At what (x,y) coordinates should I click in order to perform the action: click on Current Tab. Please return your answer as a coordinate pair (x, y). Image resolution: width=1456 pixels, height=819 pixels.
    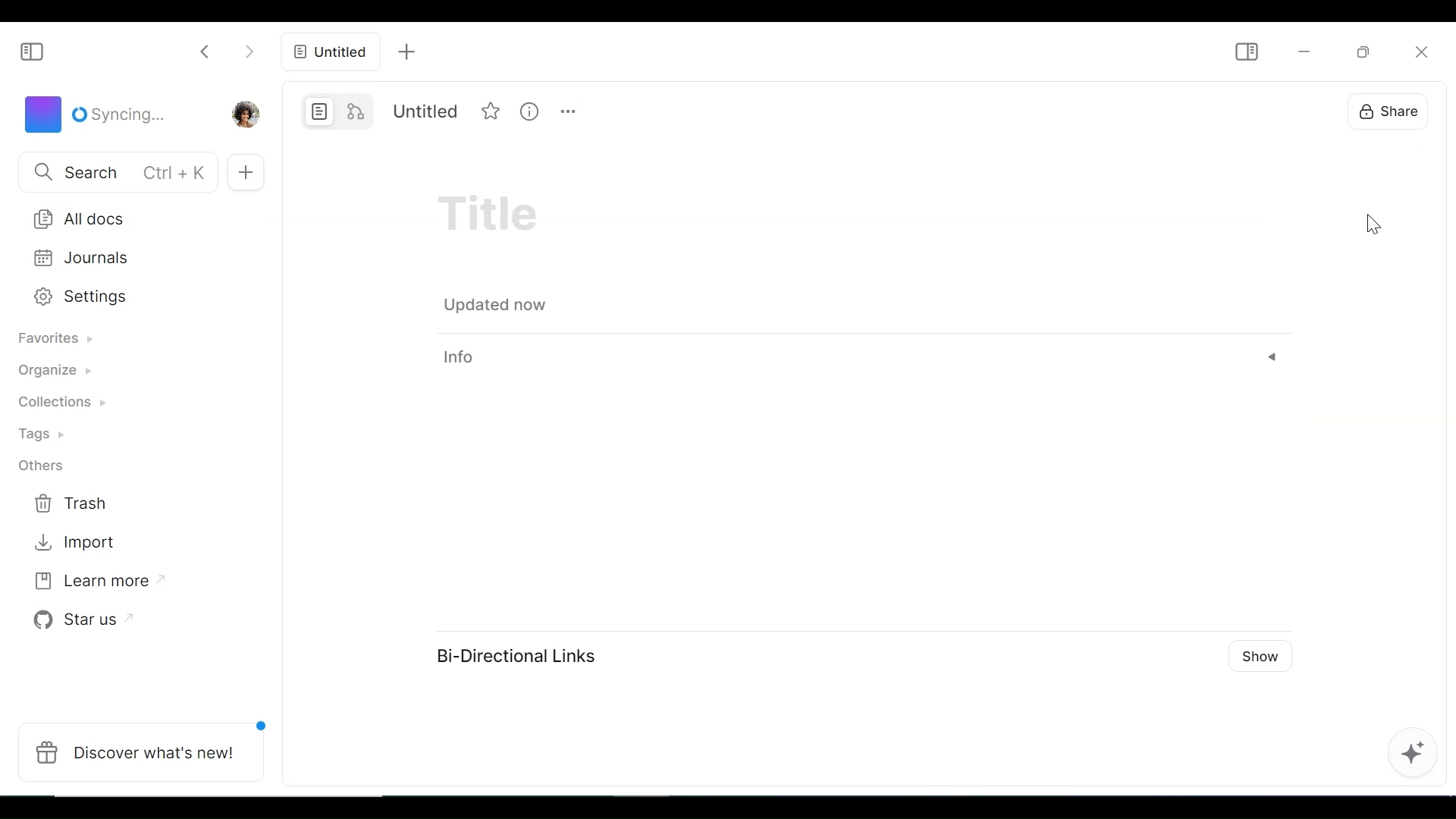
    Looking at the image, I should click on (331, 54).